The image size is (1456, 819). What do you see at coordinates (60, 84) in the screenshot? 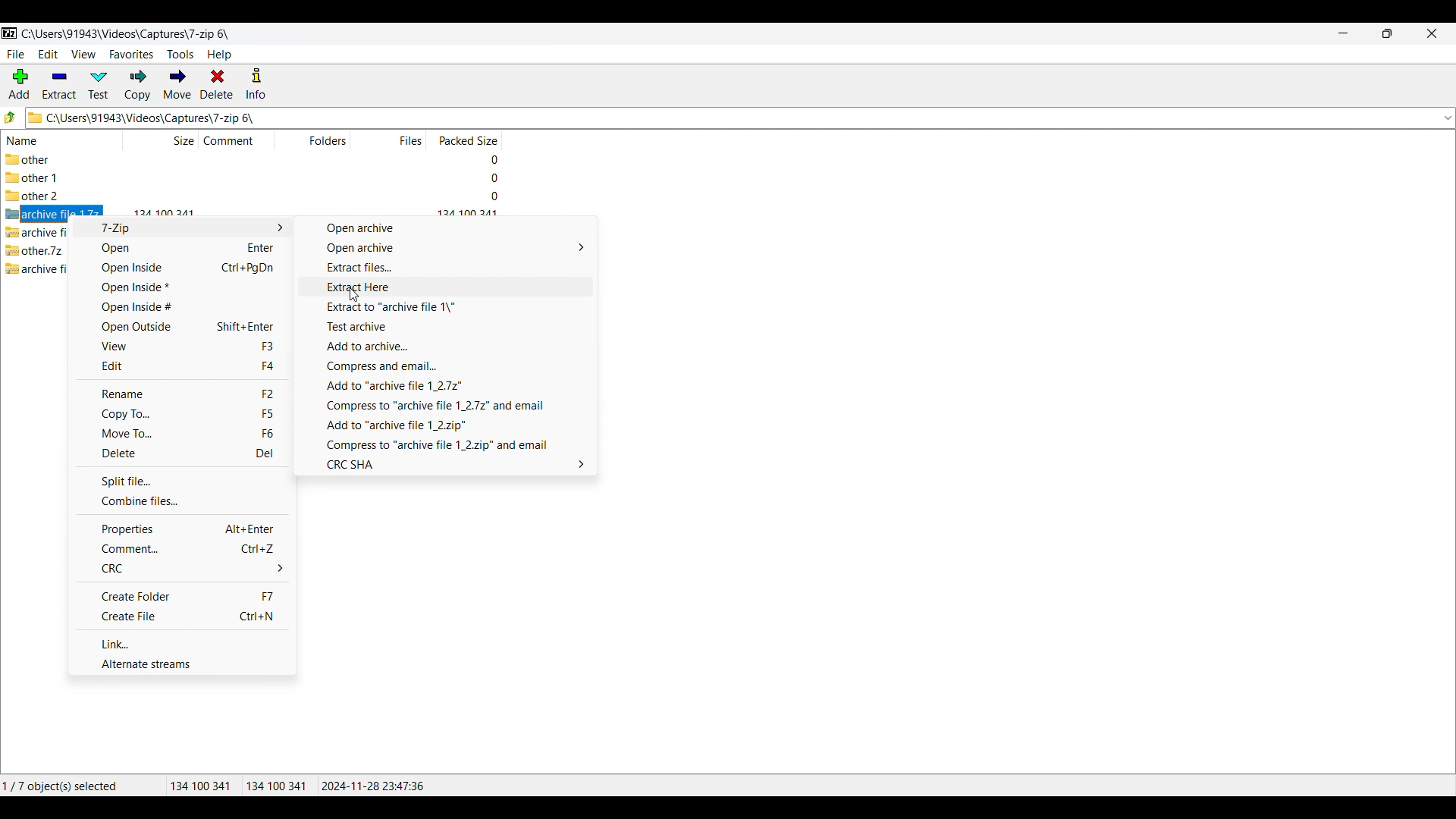
I see `Extract` at bounding box center [60, 84].